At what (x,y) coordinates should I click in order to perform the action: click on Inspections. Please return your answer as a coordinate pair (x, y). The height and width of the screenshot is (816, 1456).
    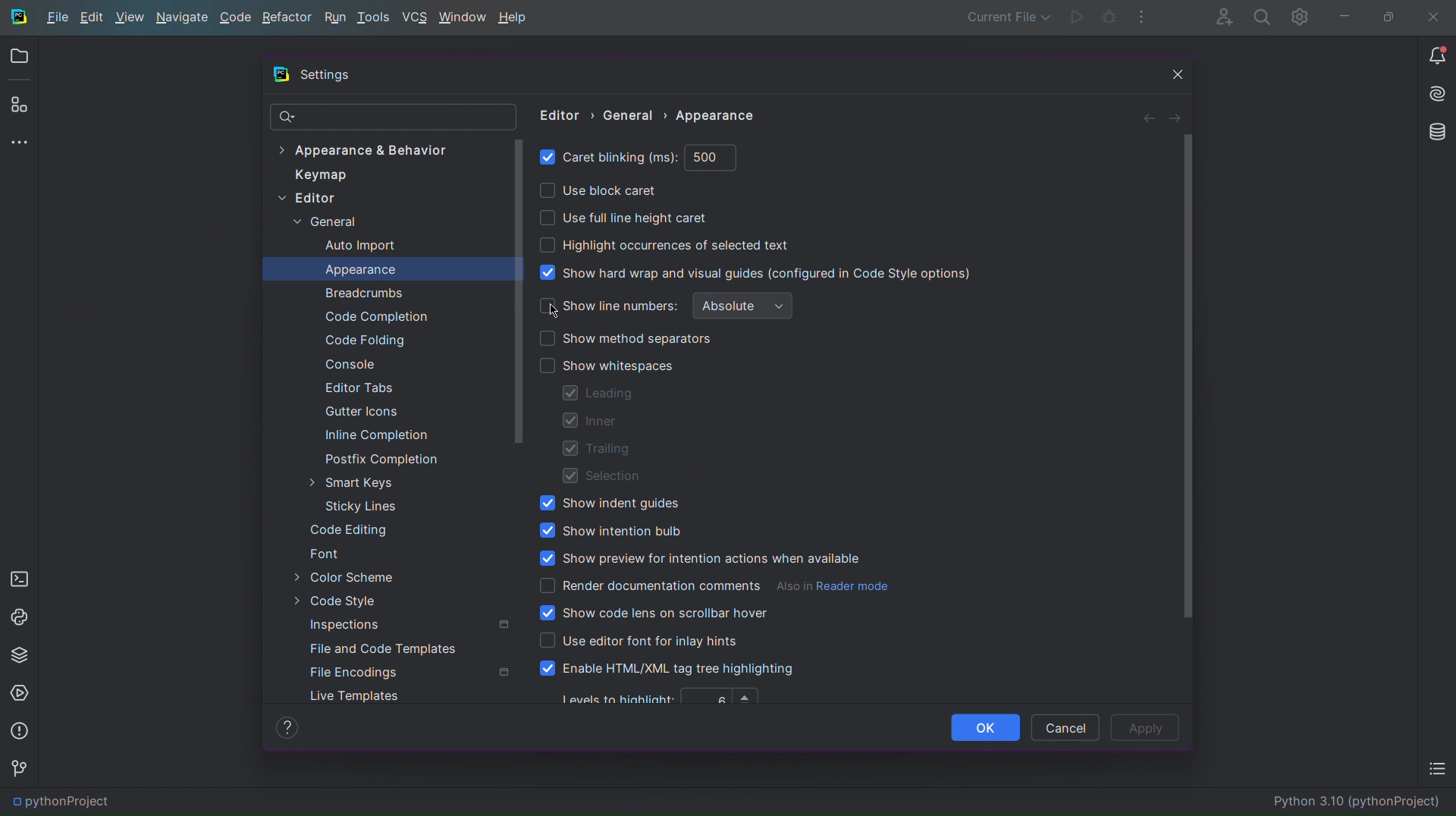
    Looking at the image, I should click on (350, 626).